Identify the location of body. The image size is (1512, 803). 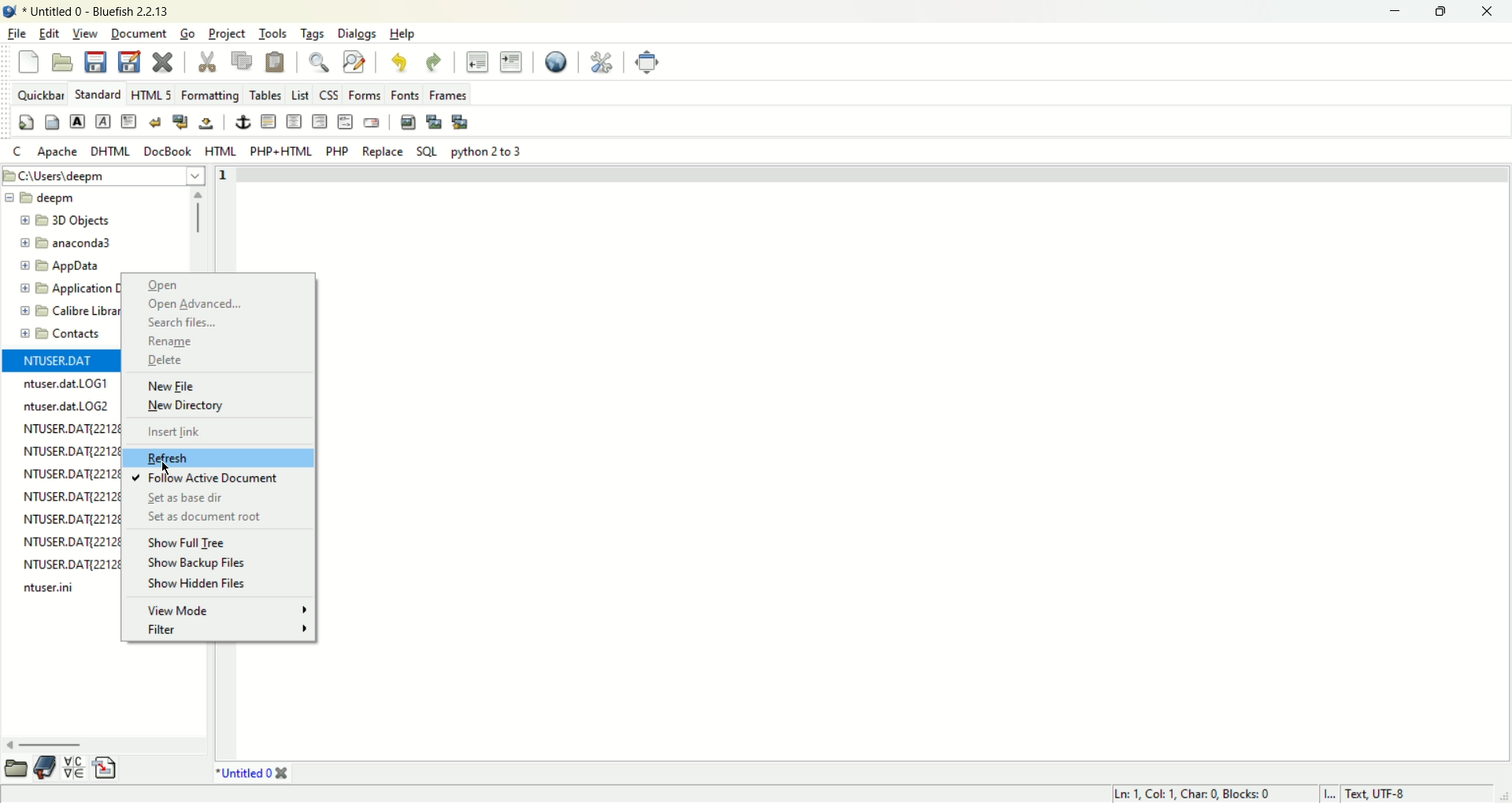
(53, 121).